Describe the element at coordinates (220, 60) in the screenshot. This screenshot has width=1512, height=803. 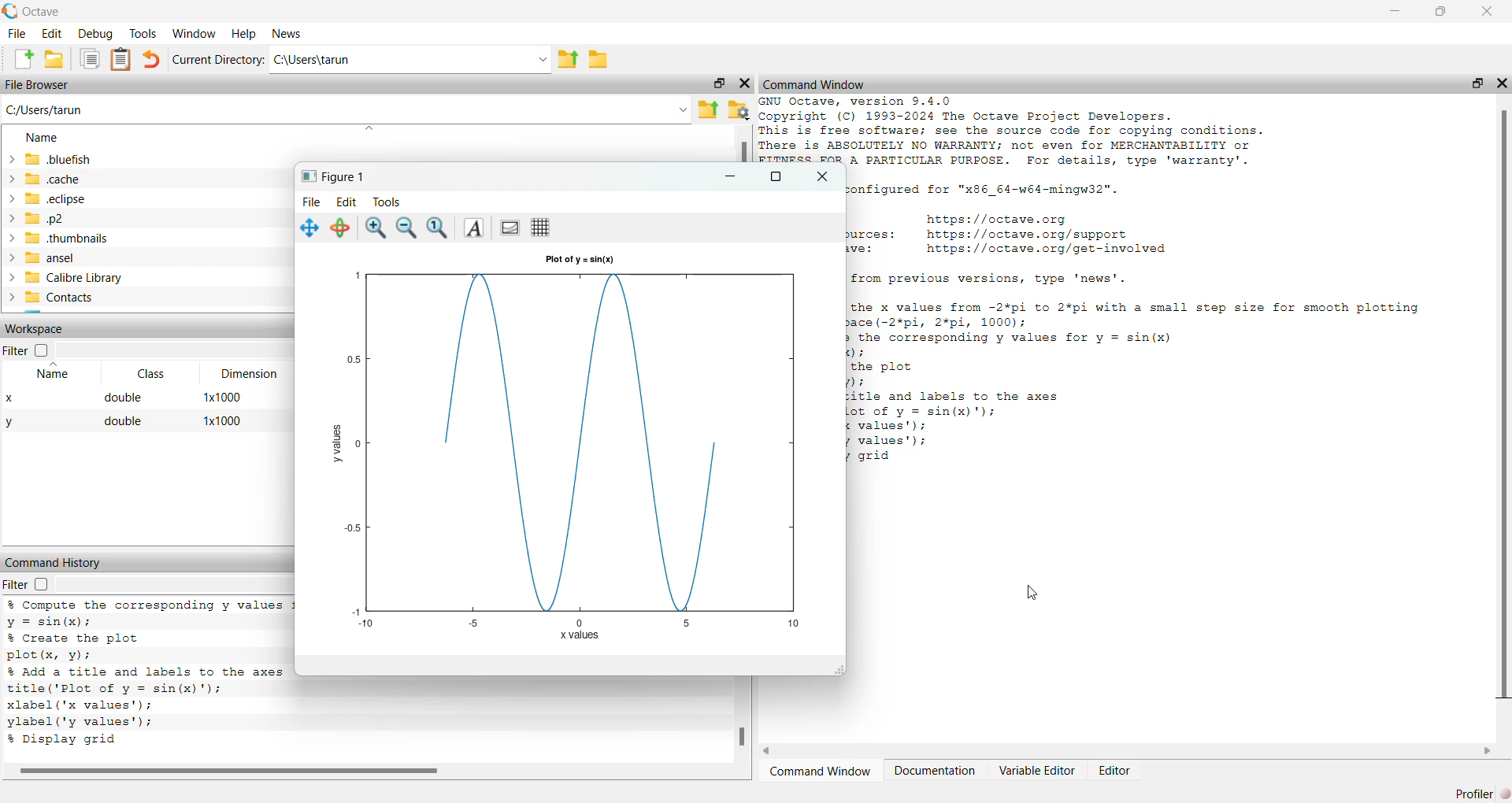
I see `Current directory` at that location.